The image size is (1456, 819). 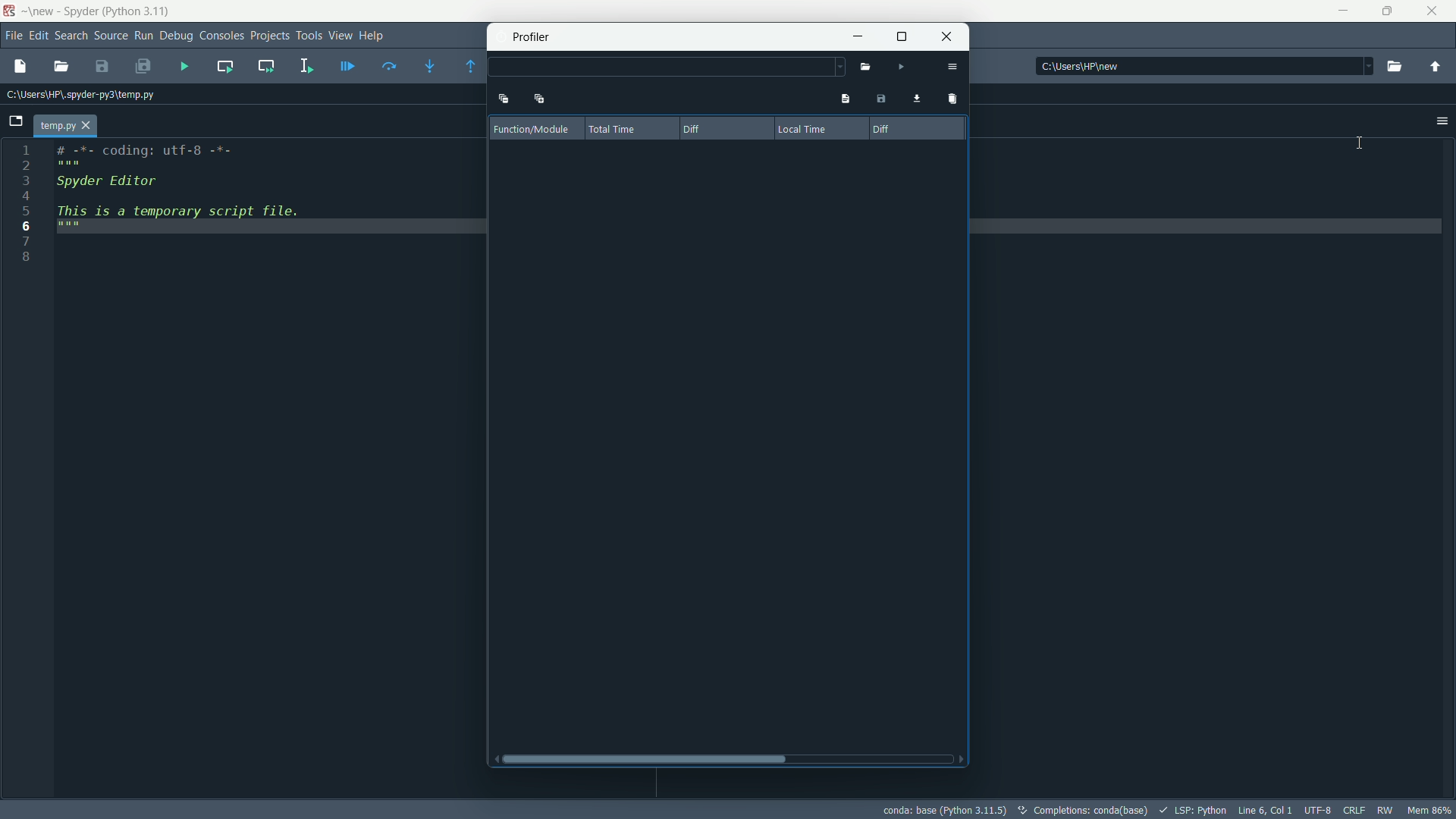 What do you see at coordinates (917, 99) in the screenshot?
I see `load profiling data for comparison` at bounding box center [917, 99].